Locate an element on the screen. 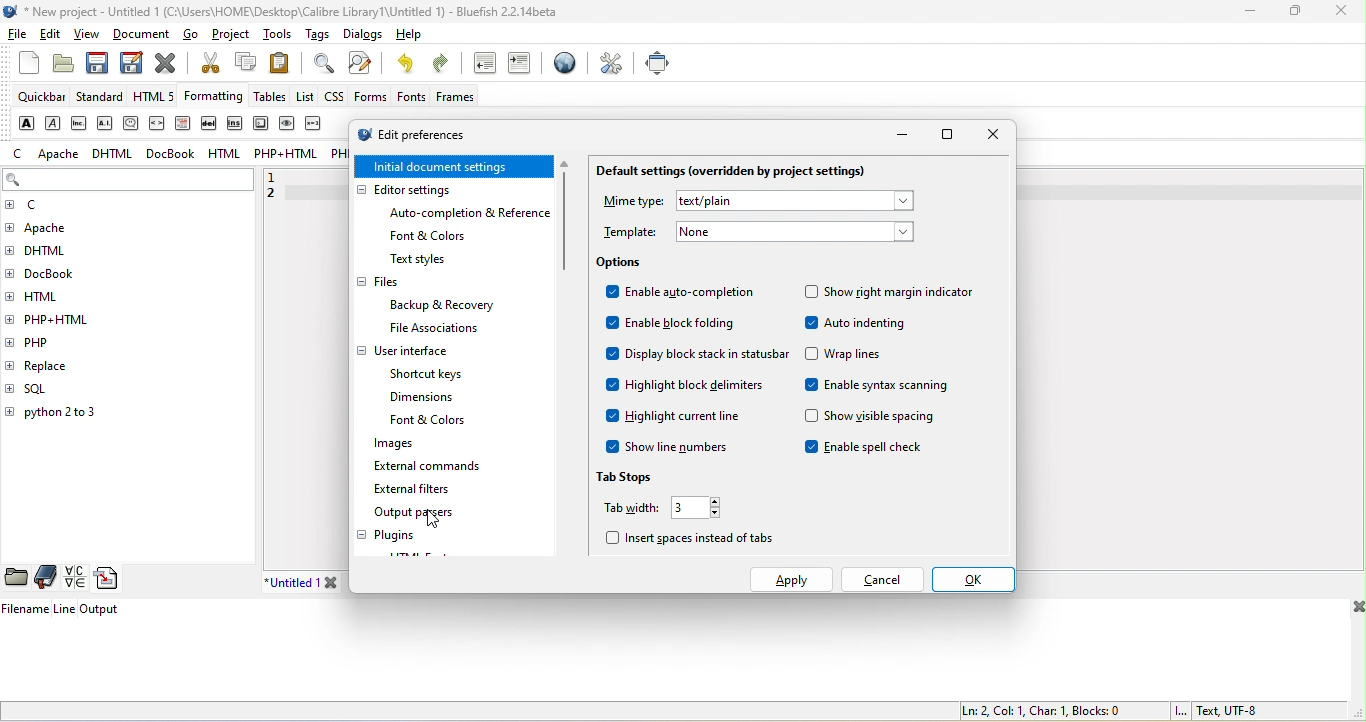  tables is located at coordinates (272, 99).